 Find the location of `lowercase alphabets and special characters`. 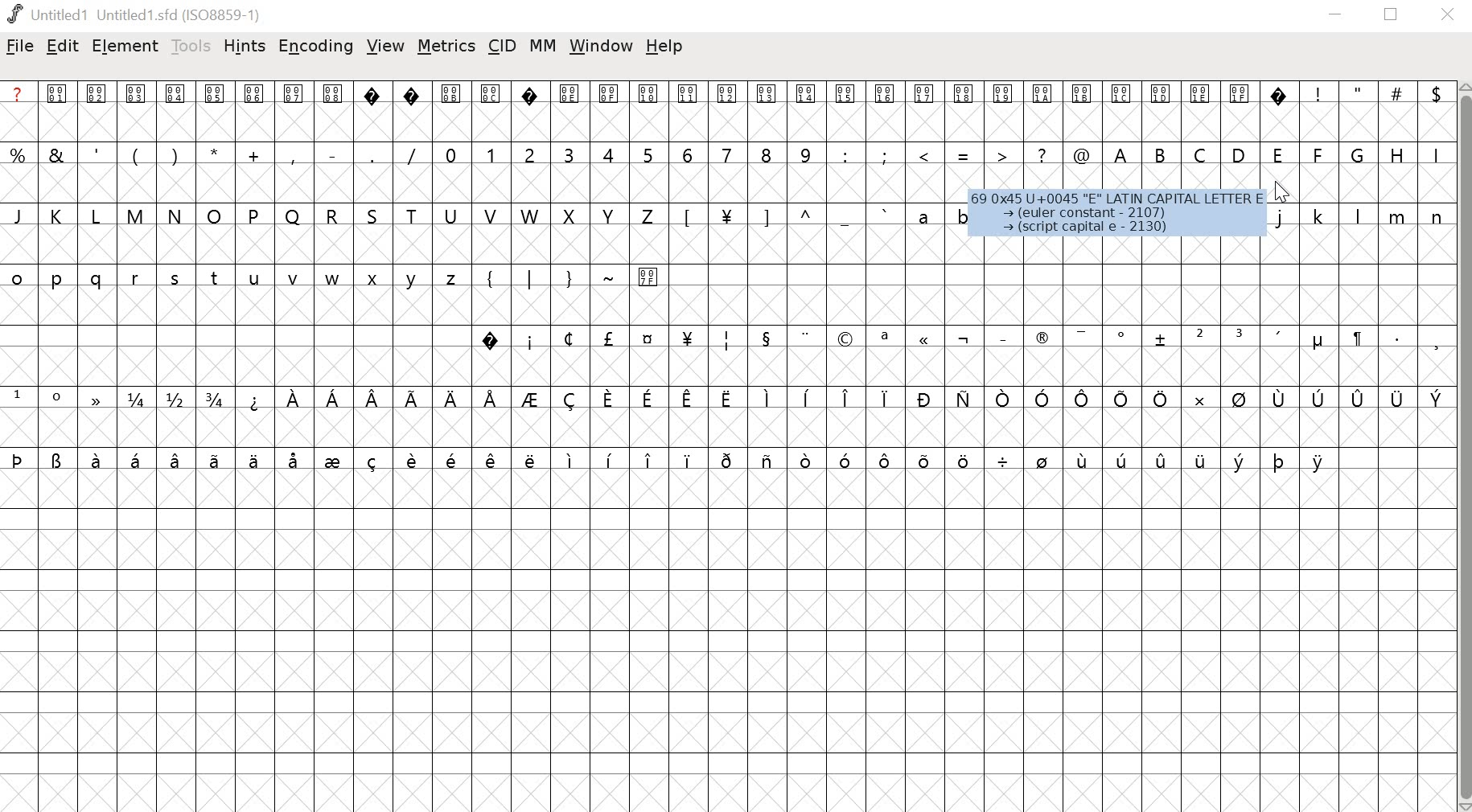

lowercase alphabets and special characters is located at coordinates (818, 215).